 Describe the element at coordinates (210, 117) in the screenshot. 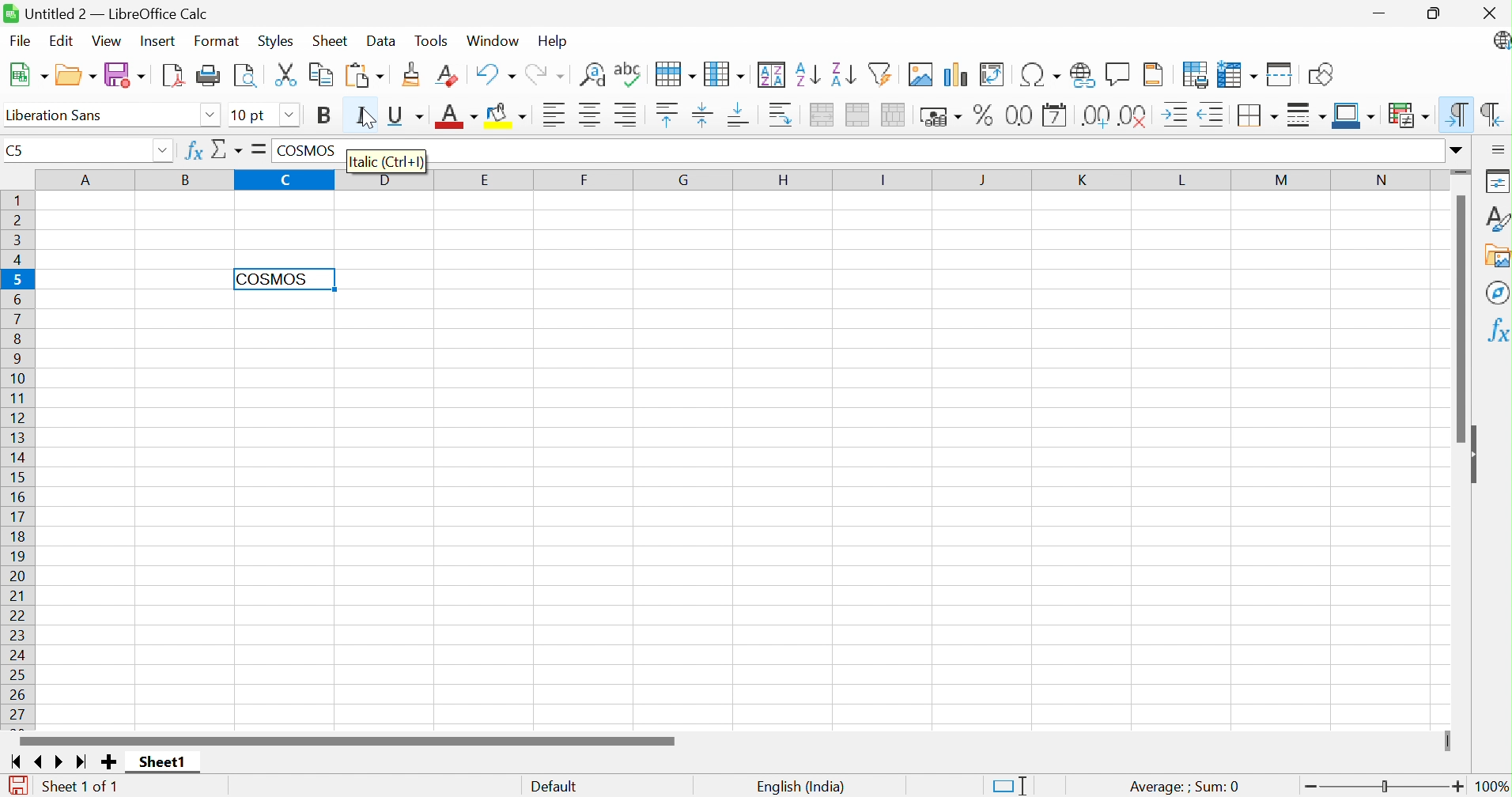

I see `Drop down` at that location.